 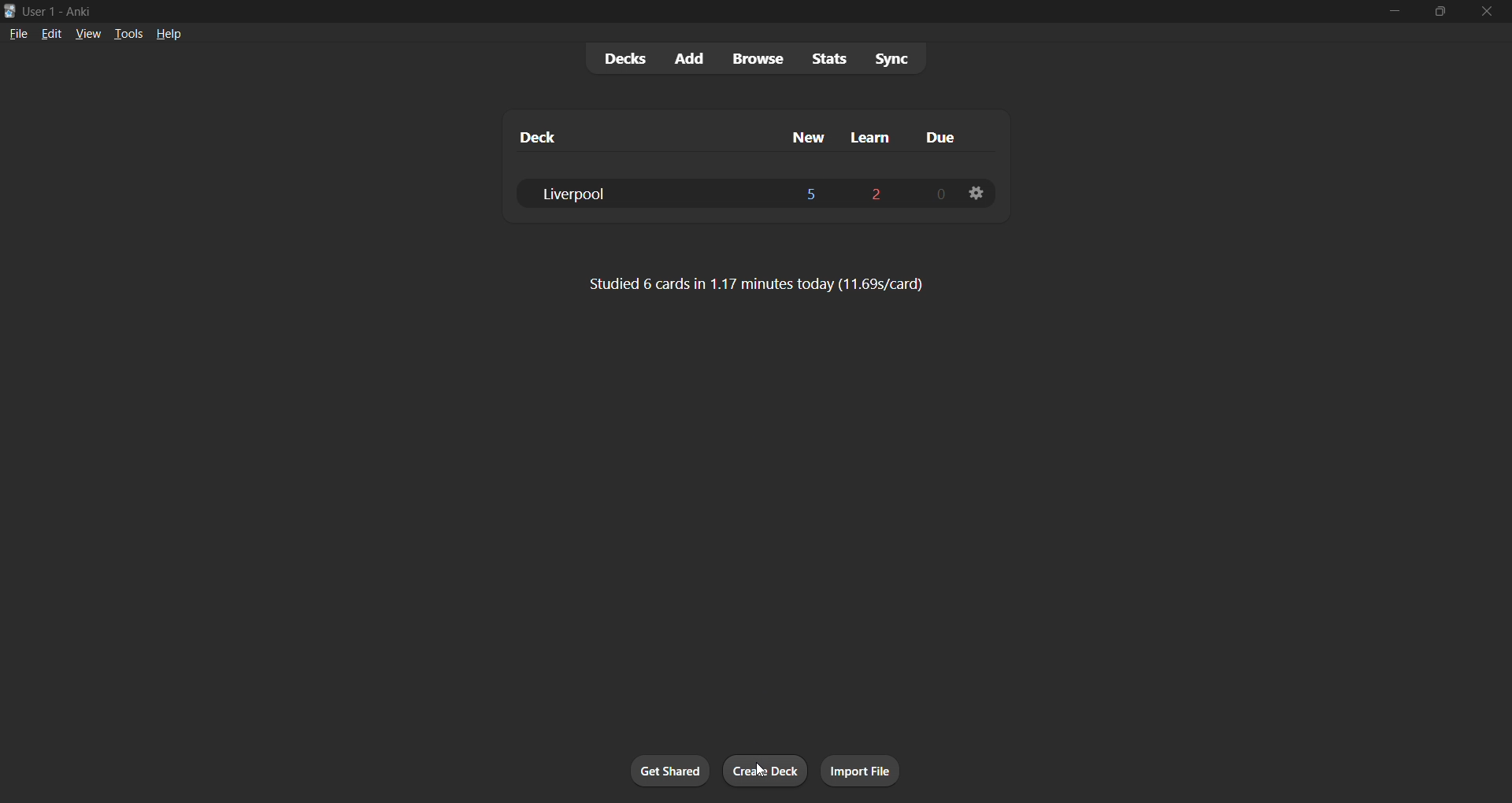 I want to click on get shared, so click(x=668, y=769).